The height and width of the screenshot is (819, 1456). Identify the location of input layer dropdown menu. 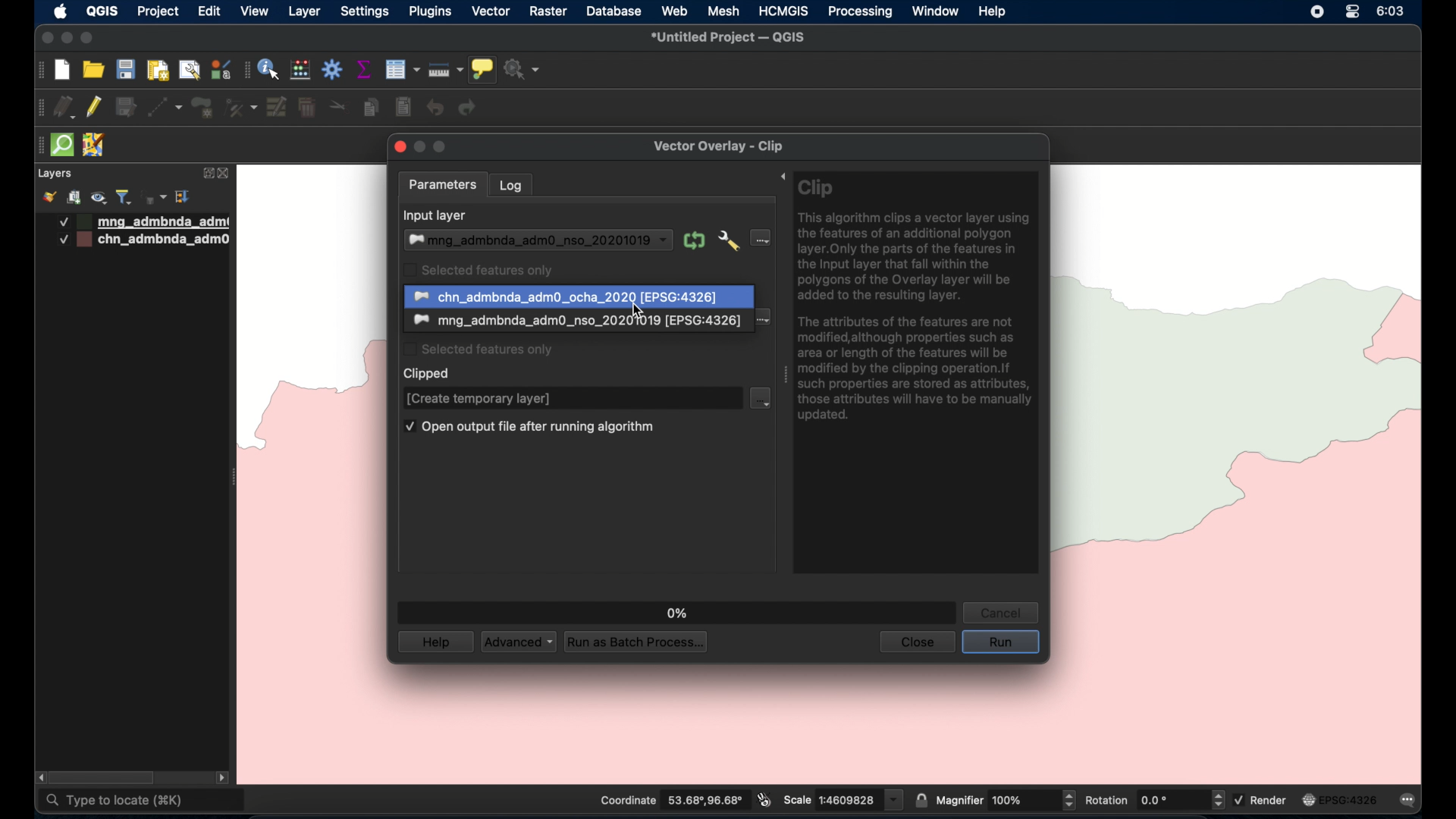
(761, 237).